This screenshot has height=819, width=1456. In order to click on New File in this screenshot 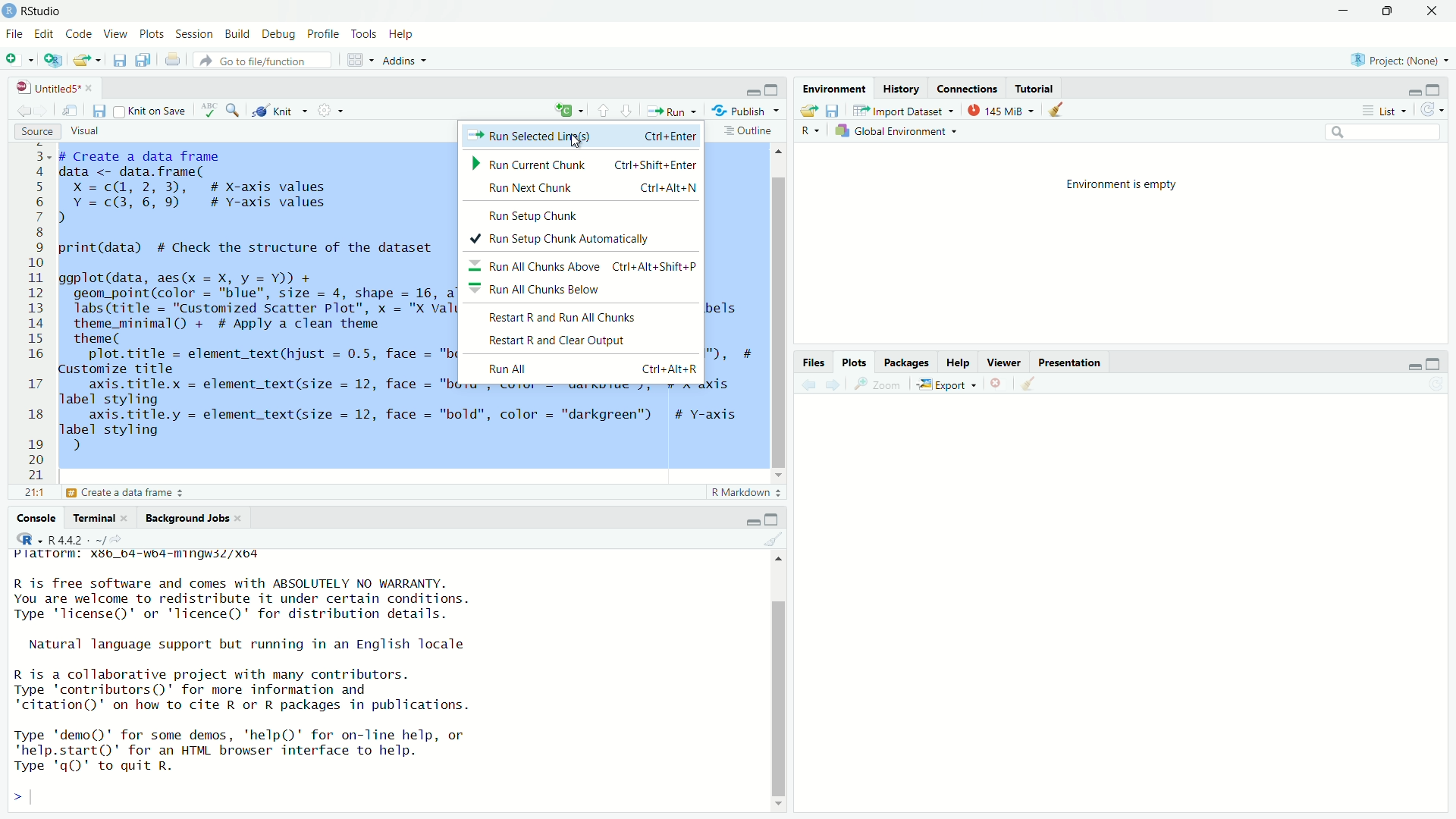, I will do `click(17, 58)`.